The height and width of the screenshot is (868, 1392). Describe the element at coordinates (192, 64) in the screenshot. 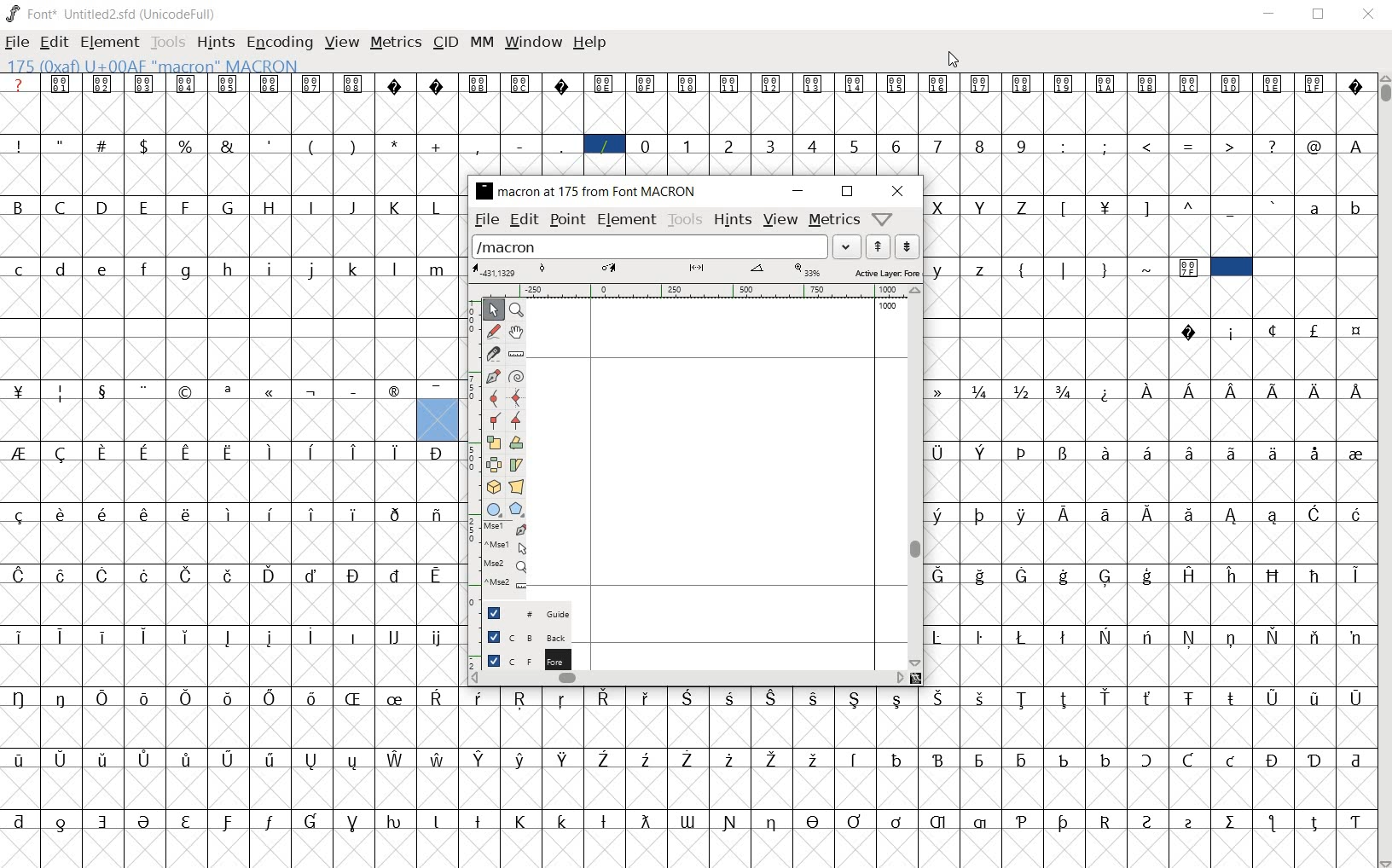

I see `128(0X80) U +0080 " uni0080" Latin-1 Supplement` at that location.